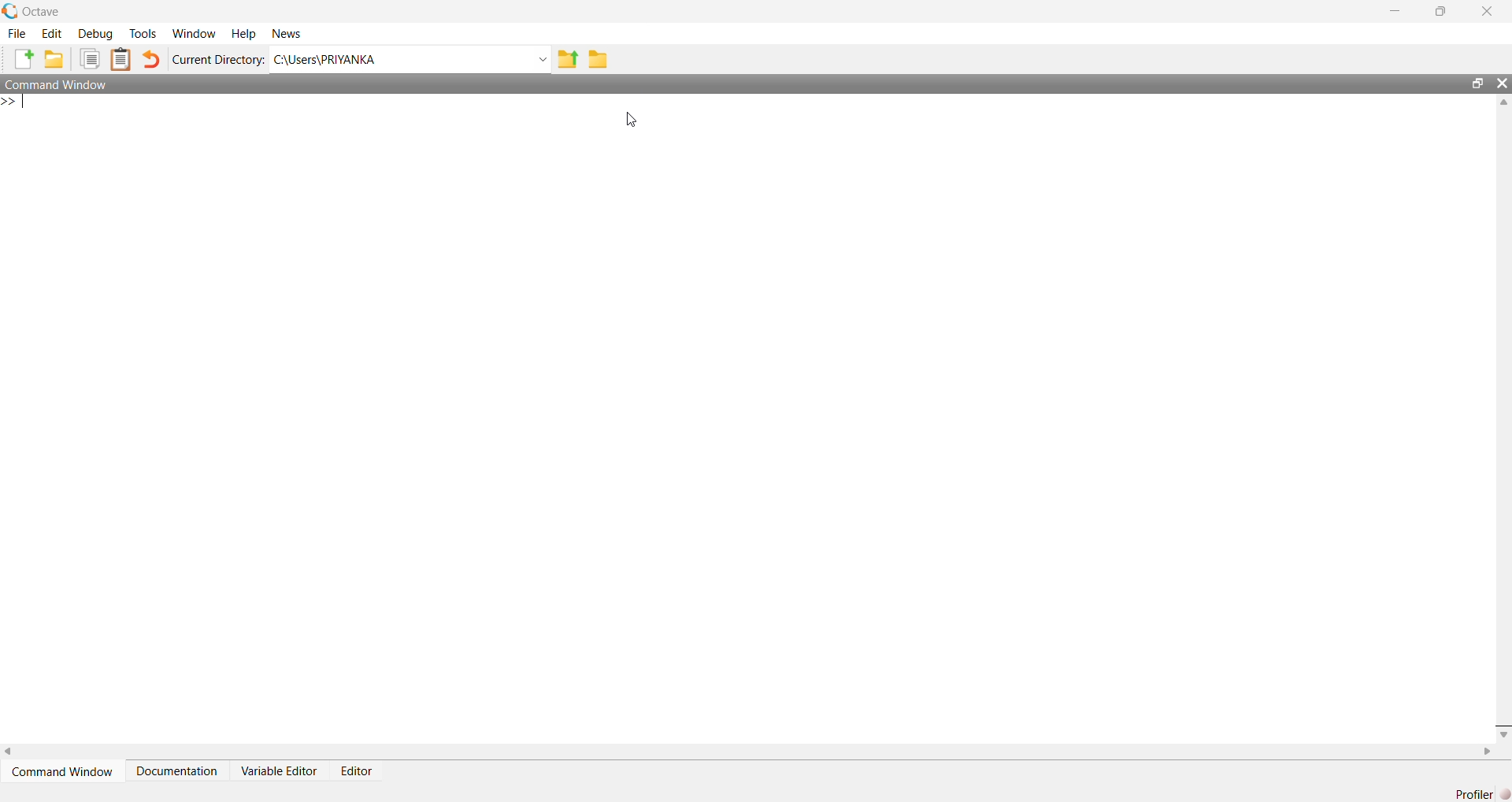  What do you see at coordinates (1480, 84) in the screenshot?
I see `Maximize` at bounding box center [1480, 84].